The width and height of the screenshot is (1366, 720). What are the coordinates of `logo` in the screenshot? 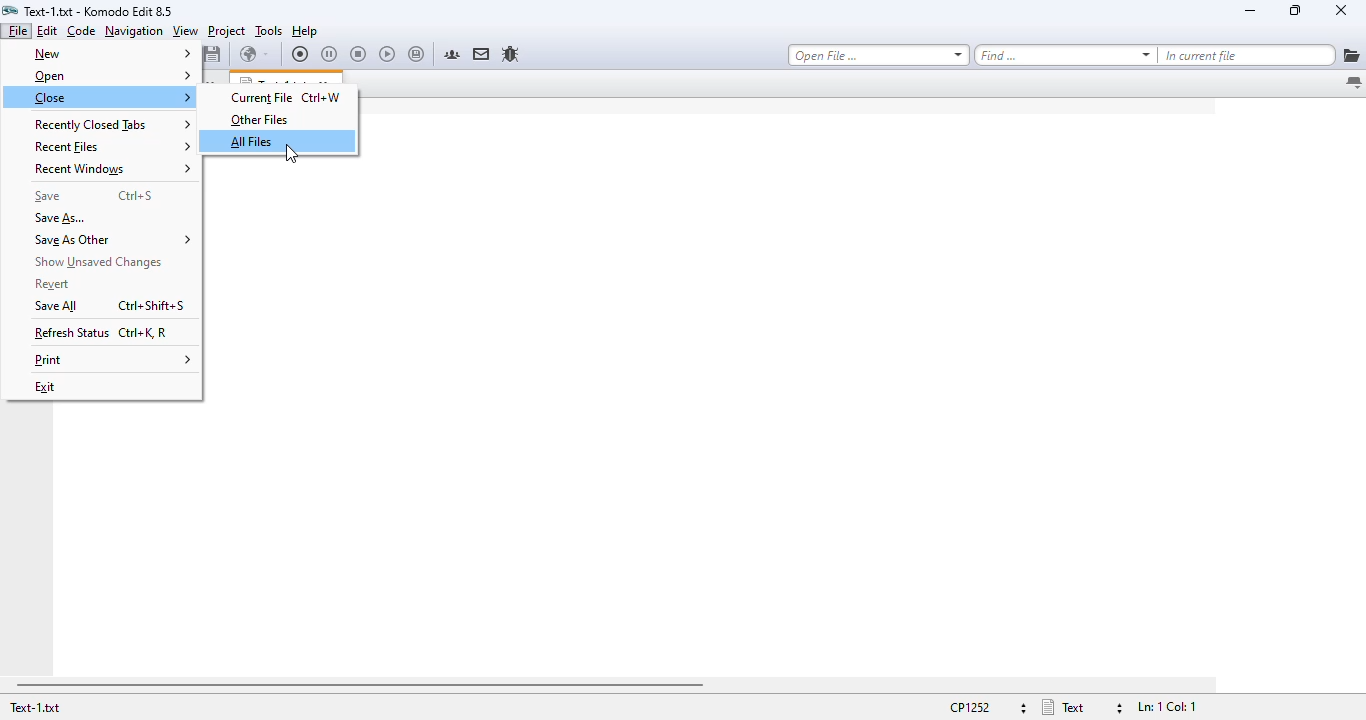 It's located at (10, 10).